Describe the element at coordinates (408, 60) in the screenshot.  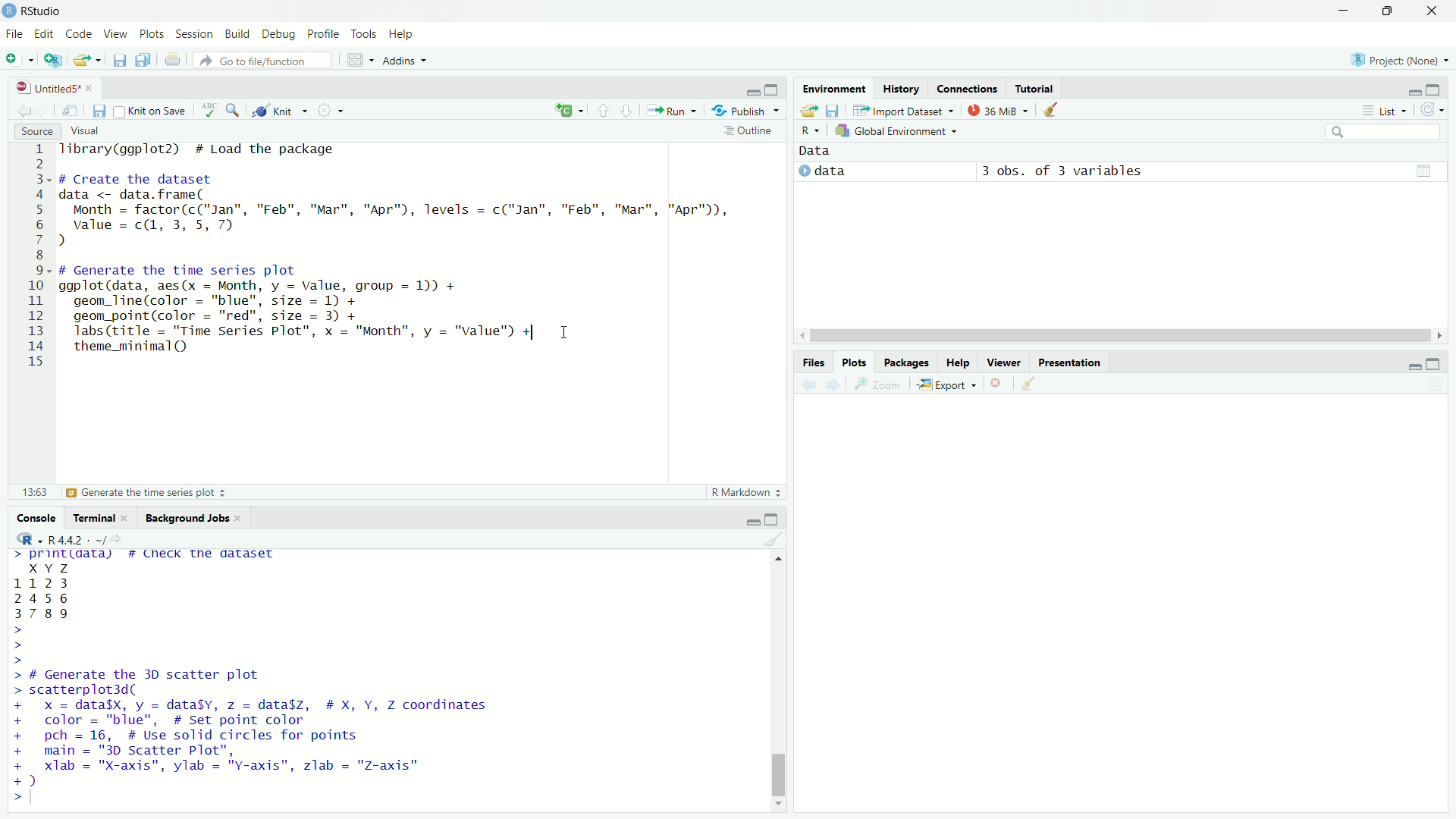
I see `addins` at that location.